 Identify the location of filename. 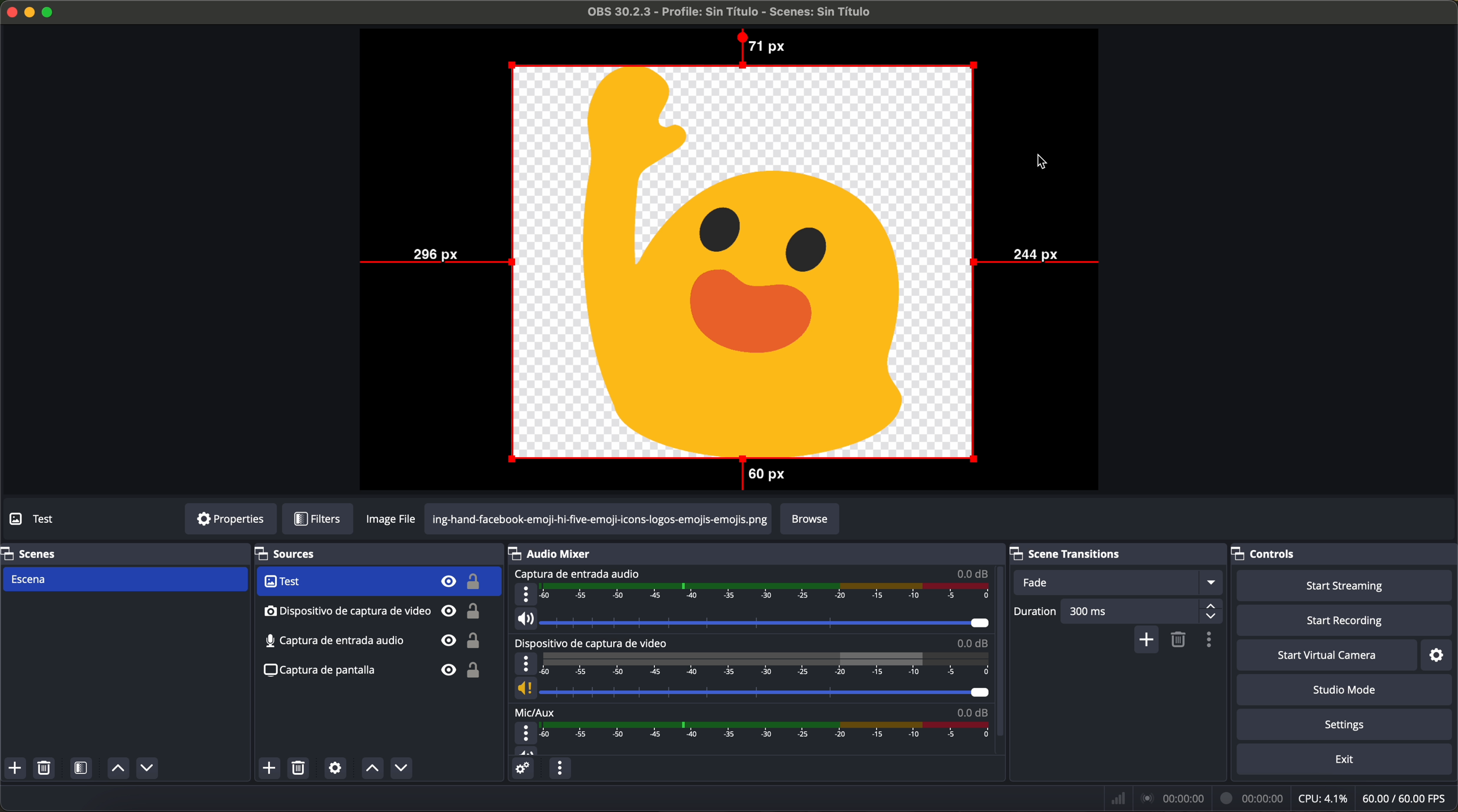
(731, 12).